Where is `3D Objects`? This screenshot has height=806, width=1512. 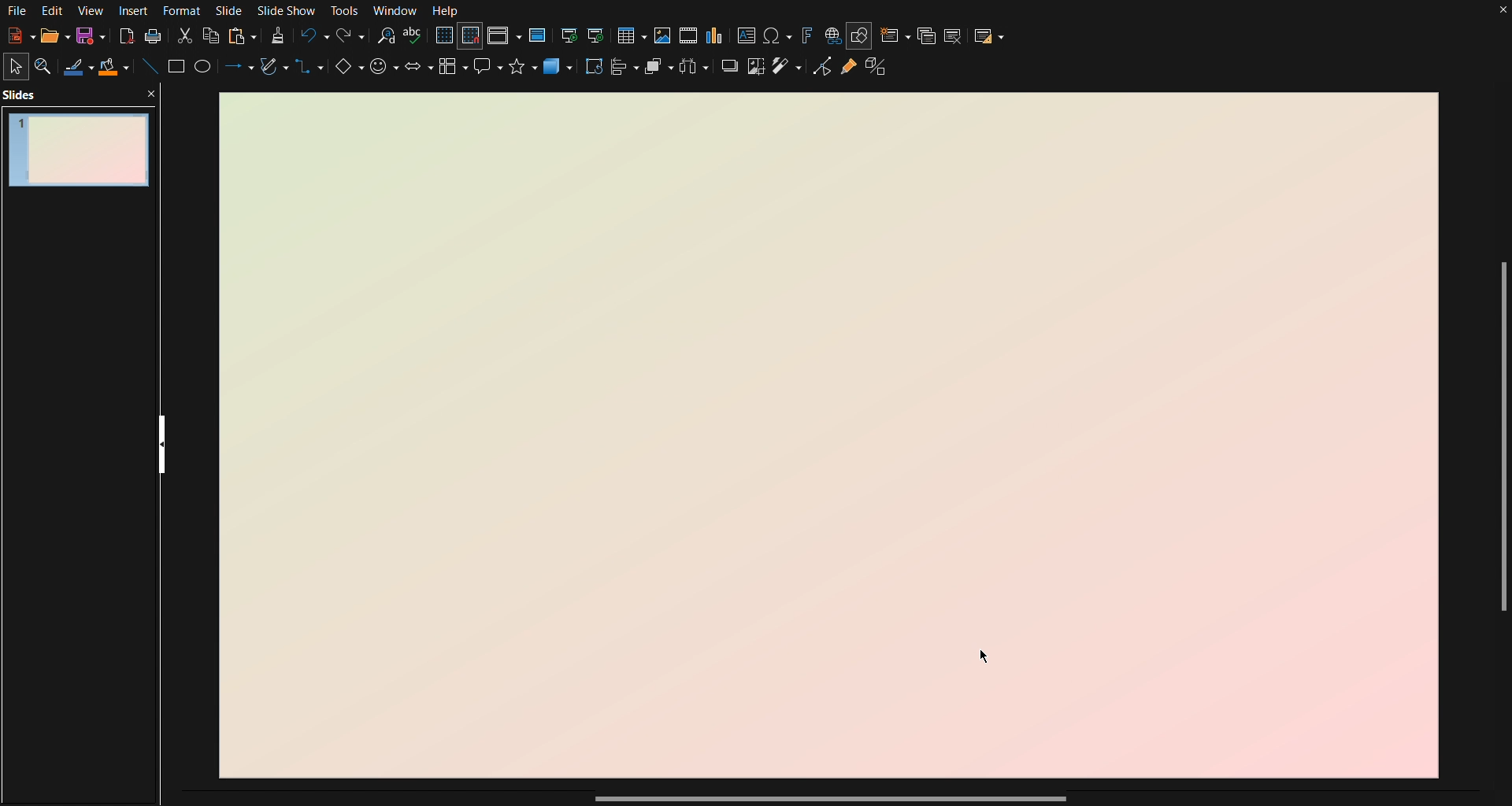
3D Objects is located at coordinates (560, 72).